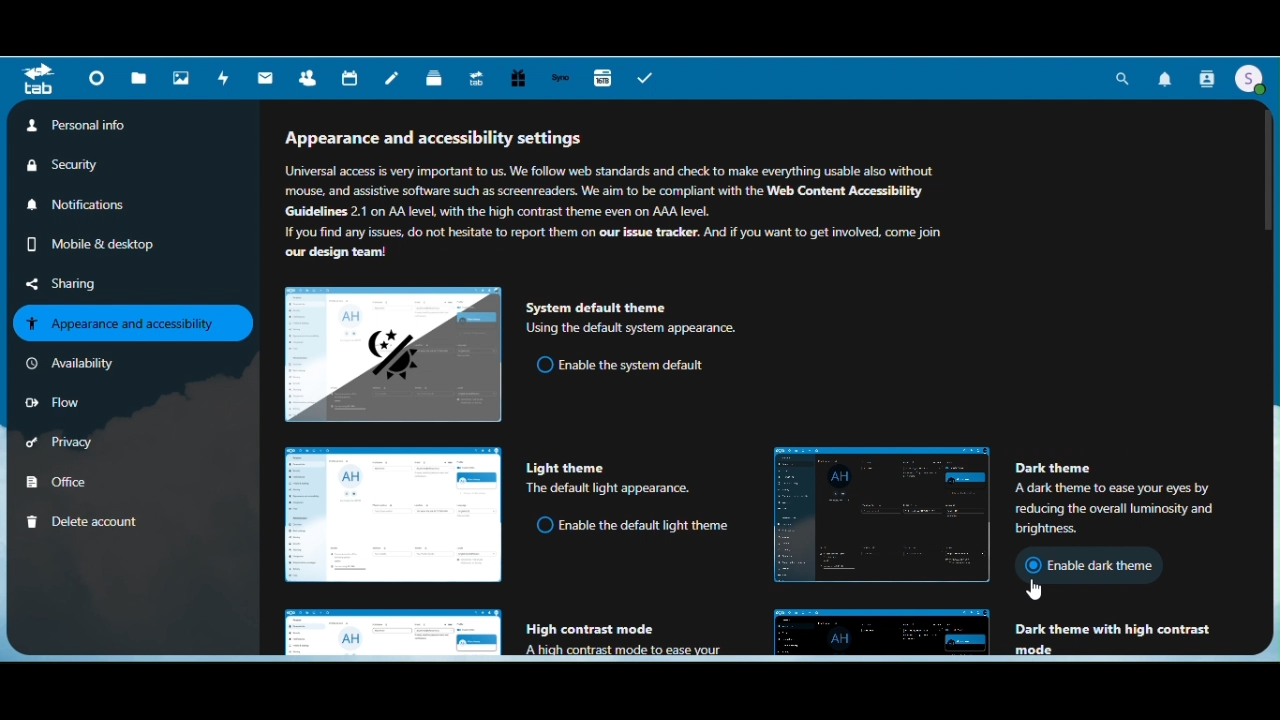  I want to click on tasks, so click(645, 78).